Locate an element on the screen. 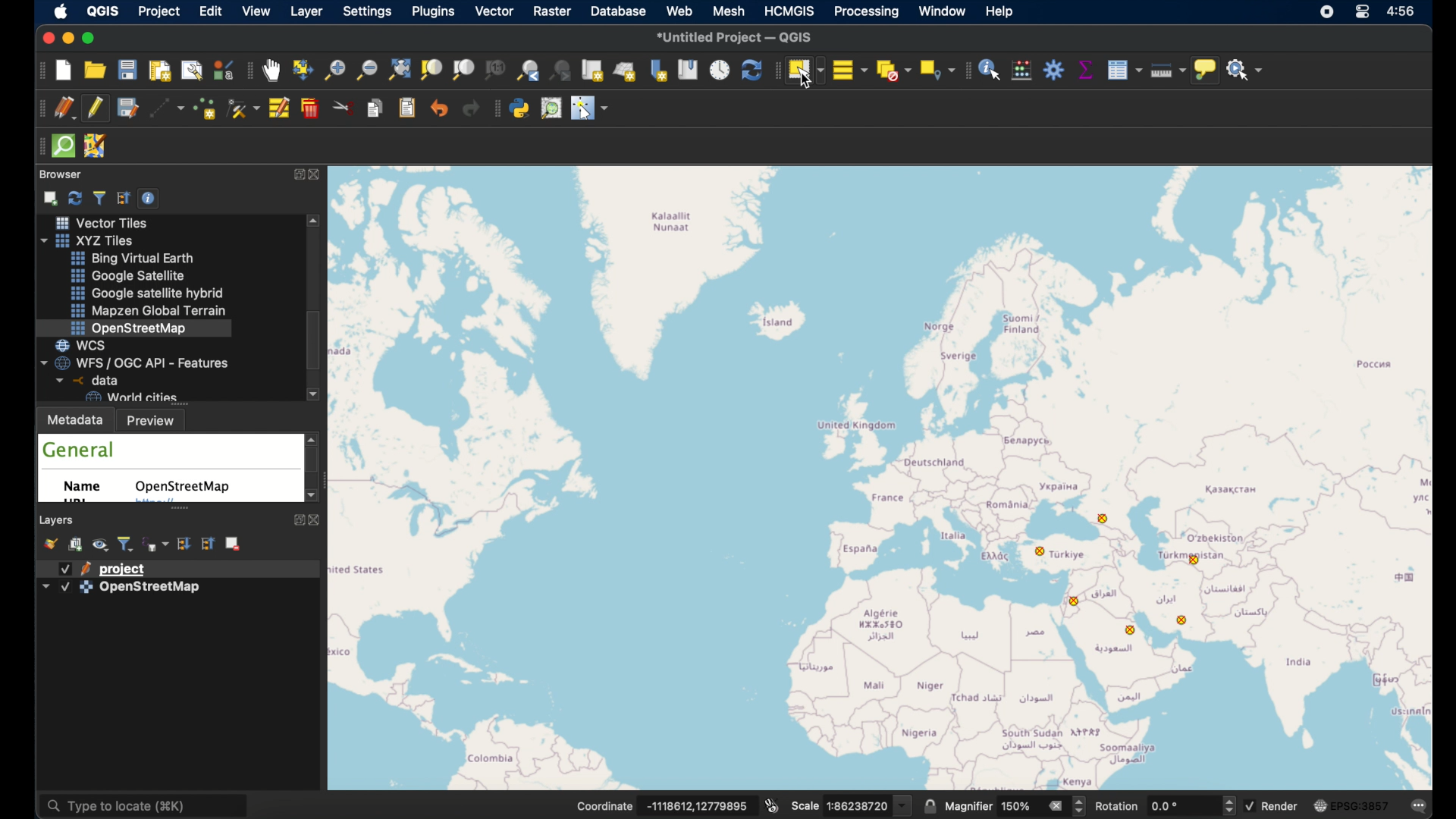 This screenshot has height=819, width=1456. vertex tool is located at coordinates (243, 108).